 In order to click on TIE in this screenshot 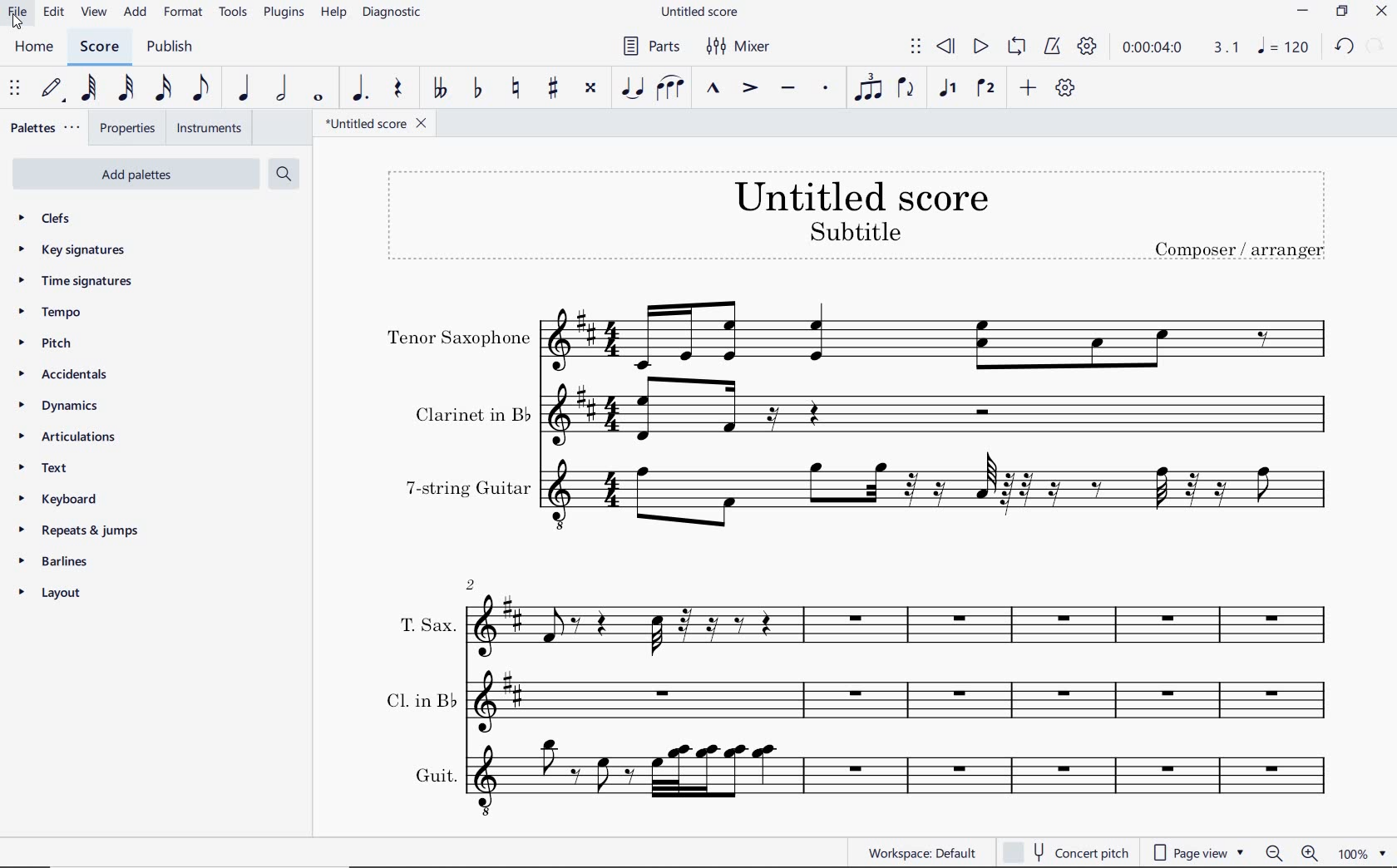, I will do `click(629, 87)`.